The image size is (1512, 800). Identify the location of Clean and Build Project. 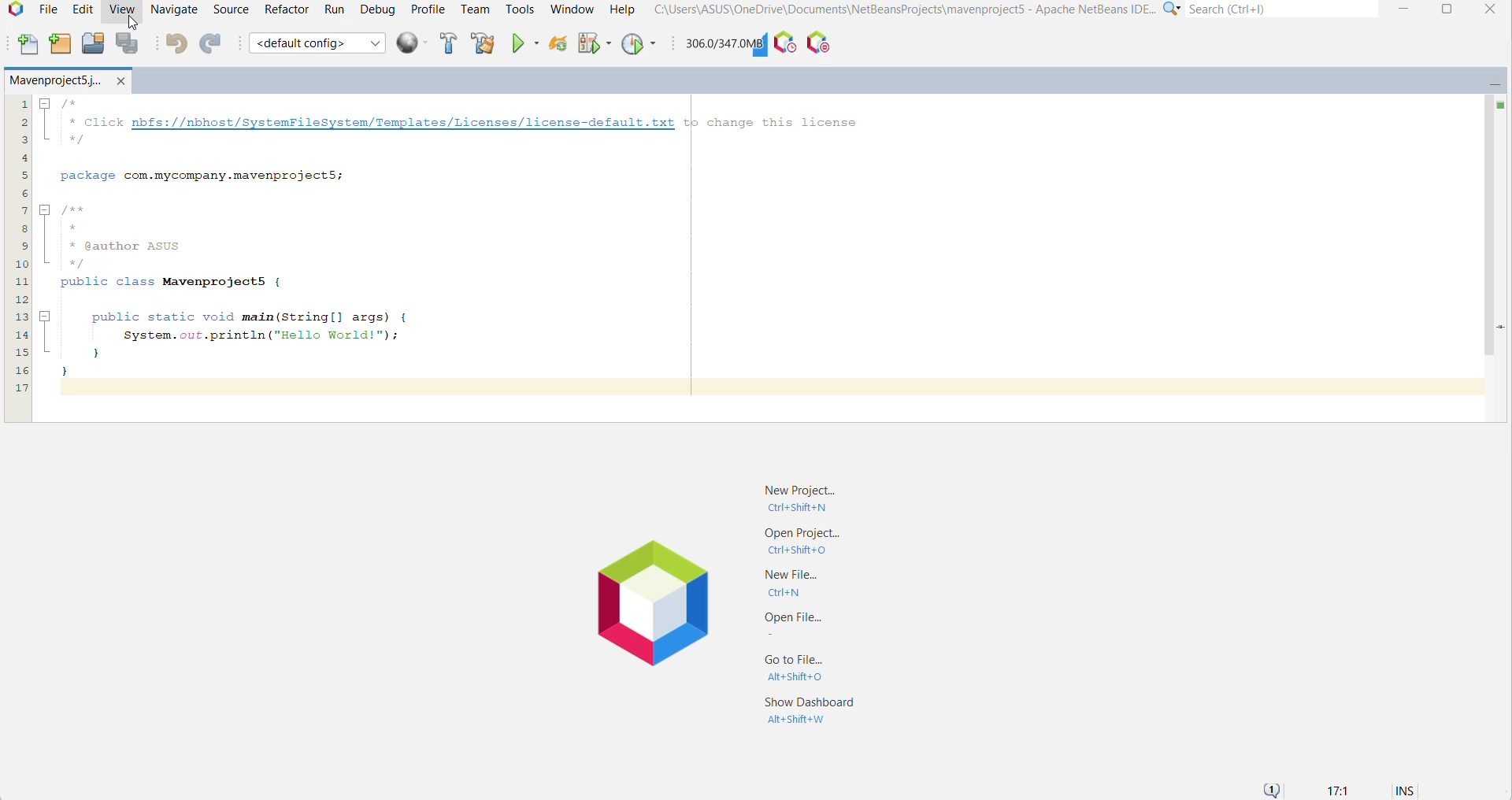
(483, 45).